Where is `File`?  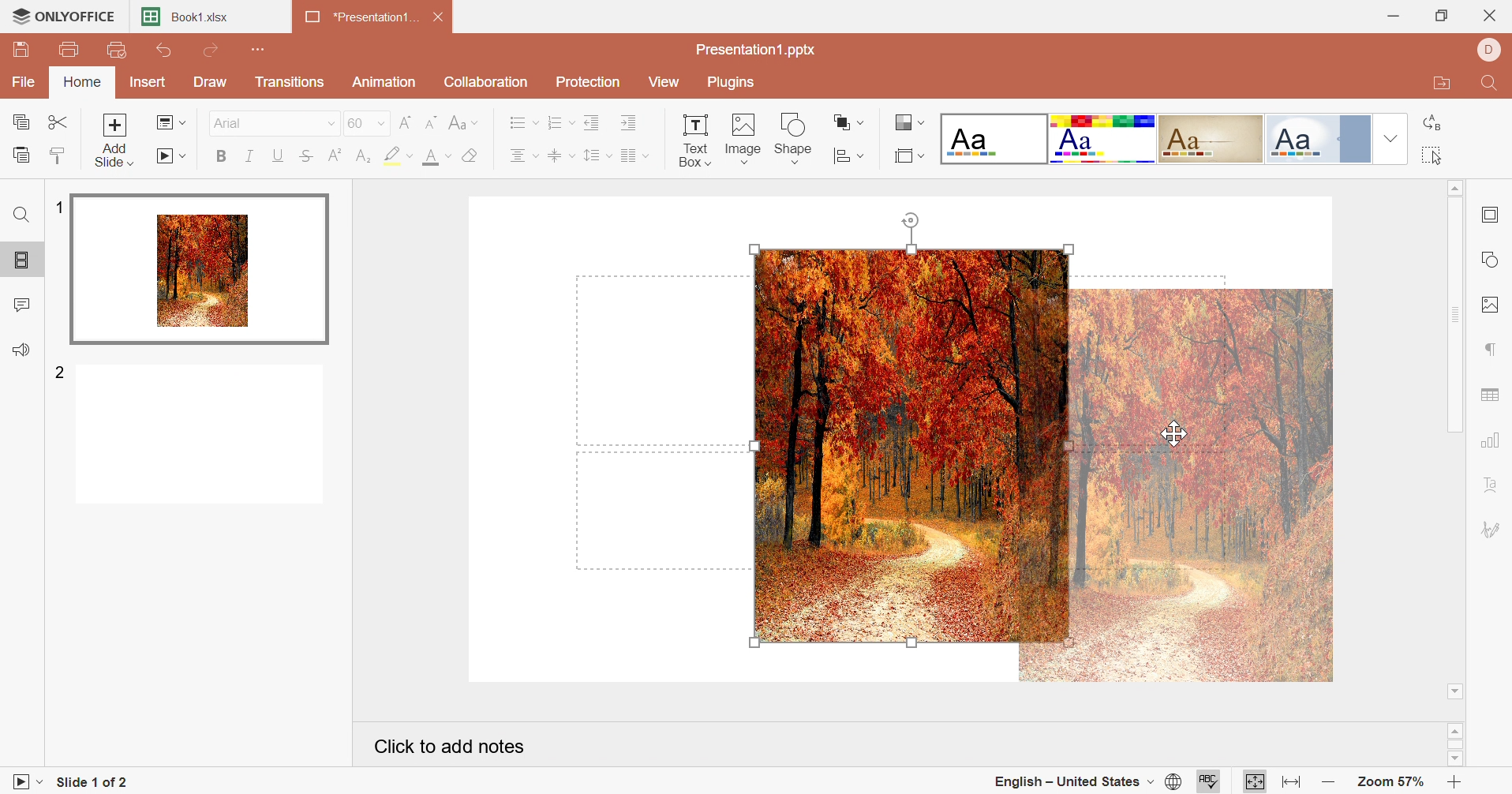 File is located at coordinates (24, 82).